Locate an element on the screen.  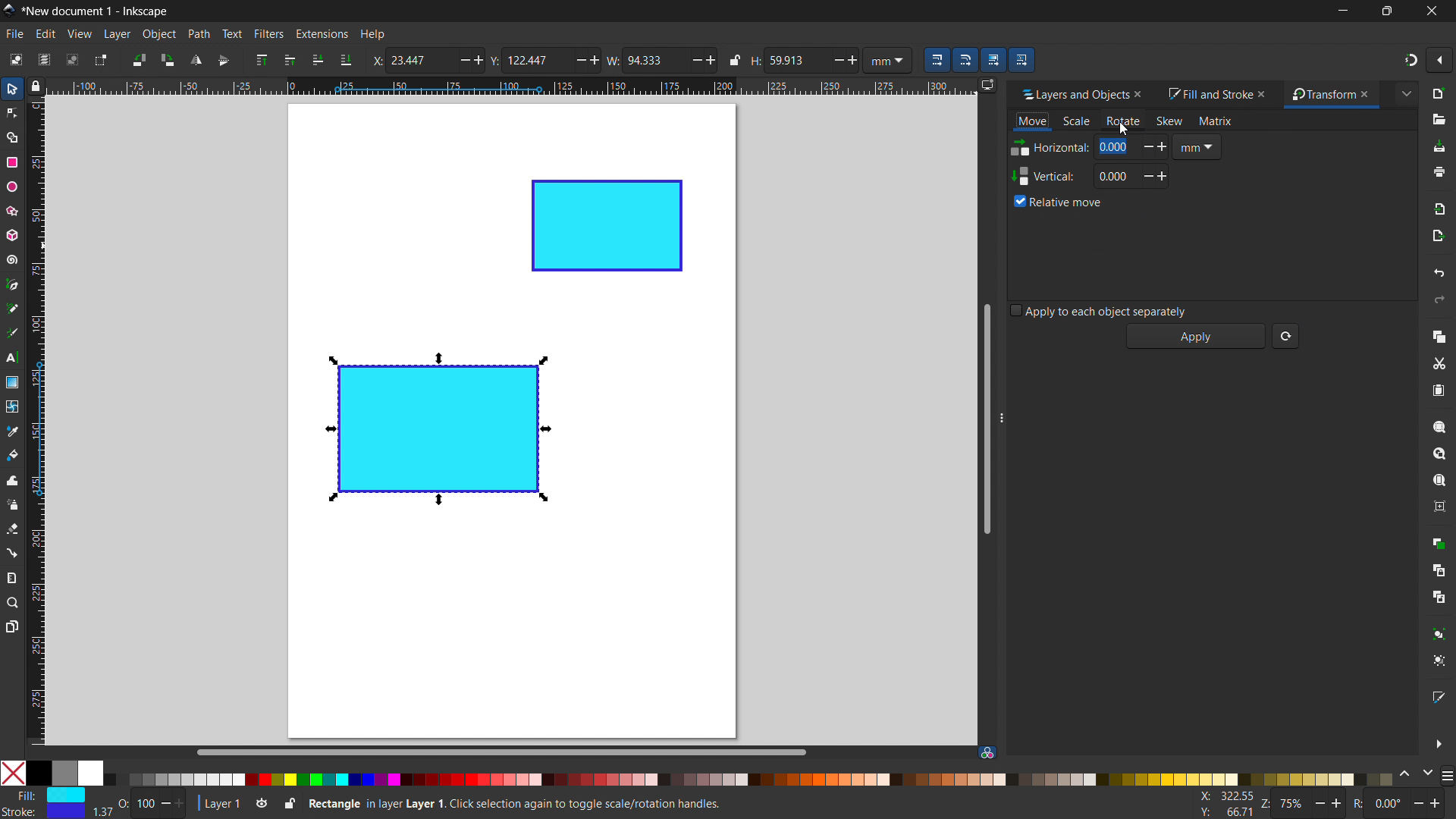
toggle selection box is located at coordinates (99, 61).